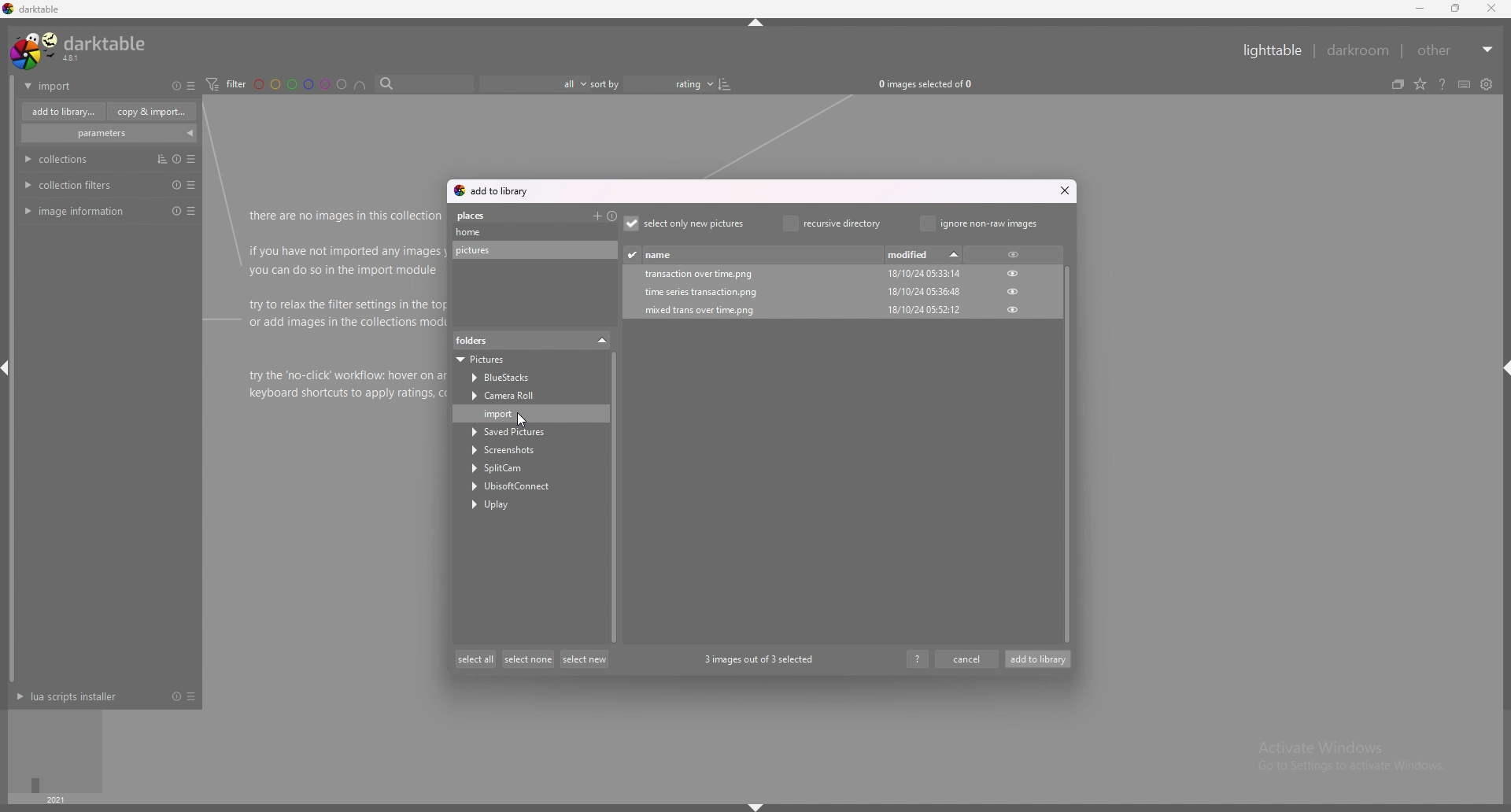 The height and width of the screenshot is (812, 1511). I want to click on SplitCam, so click(526, 467).